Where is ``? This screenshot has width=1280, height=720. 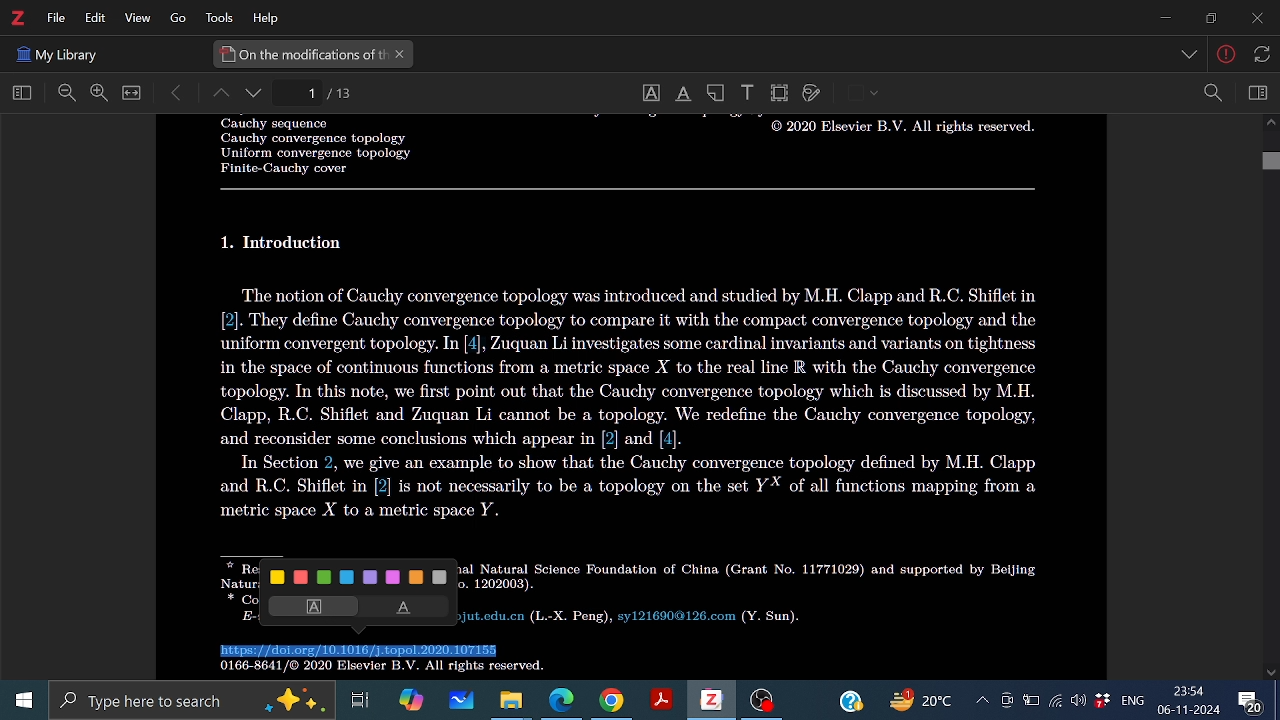  is located at coordinates (286, 243).